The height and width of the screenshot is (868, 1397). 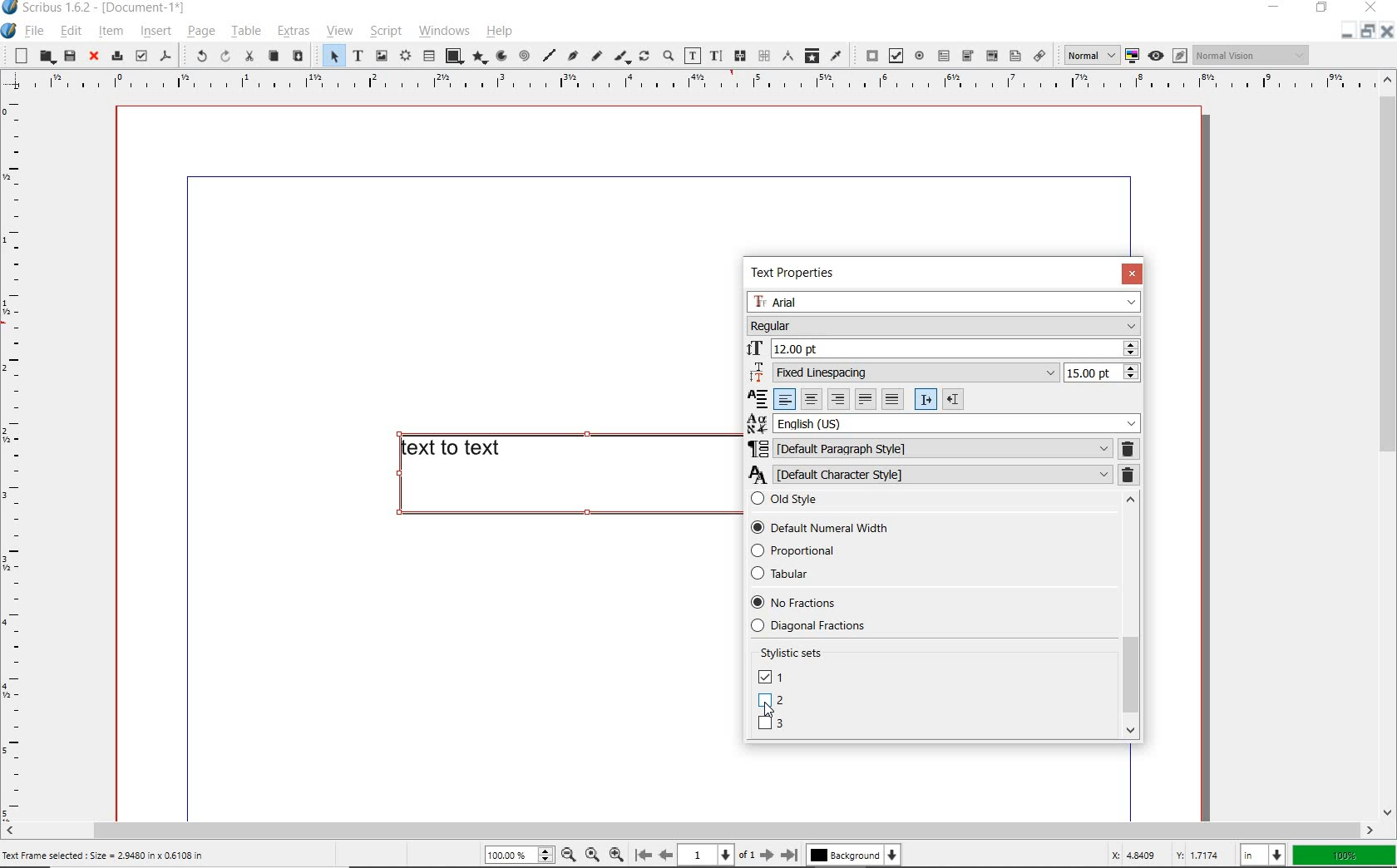 I want to click on First page, so click(x=642, y=856).